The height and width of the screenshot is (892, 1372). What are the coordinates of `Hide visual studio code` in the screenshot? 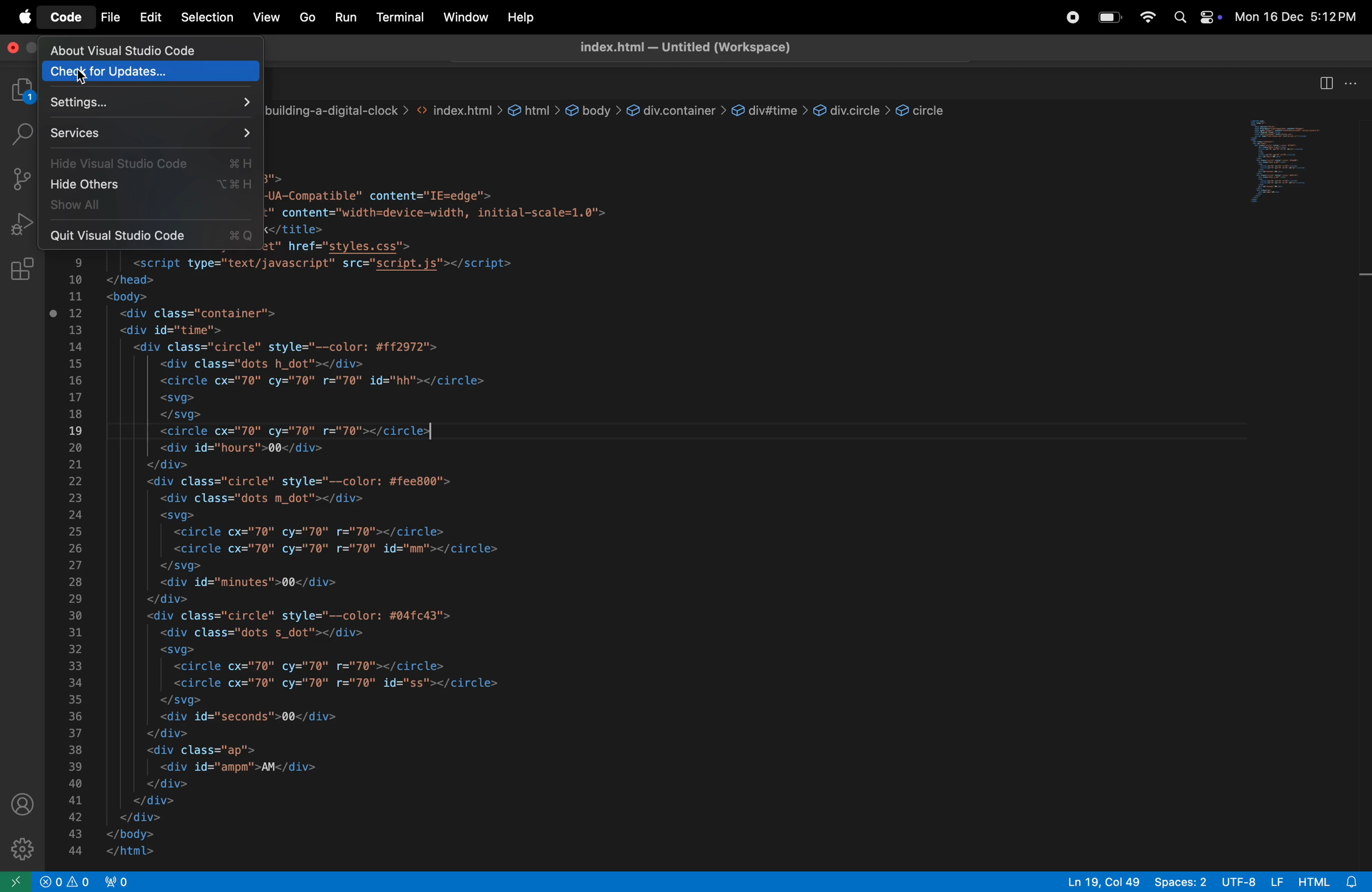 It's located at (148, 160).